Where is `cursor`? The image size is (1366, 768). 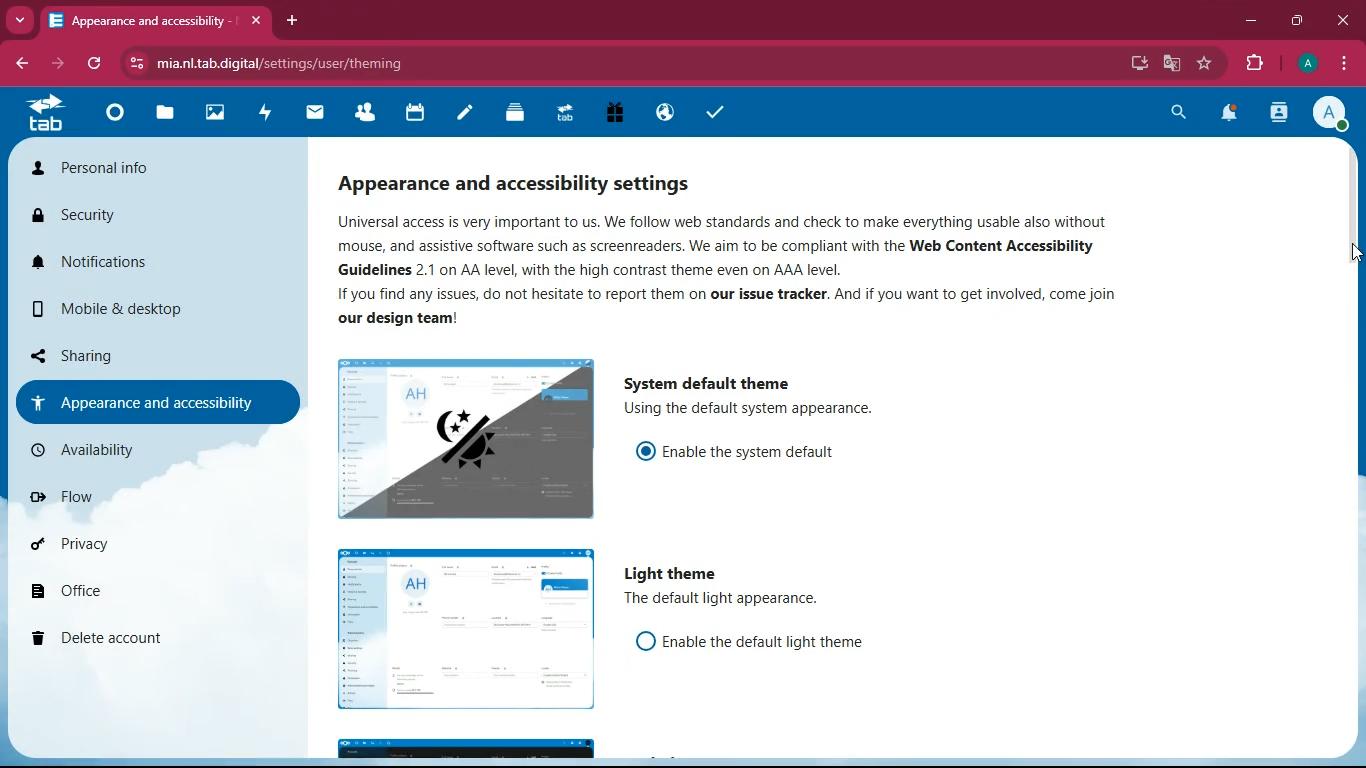 cursor is located at coordinates (1350, 241).